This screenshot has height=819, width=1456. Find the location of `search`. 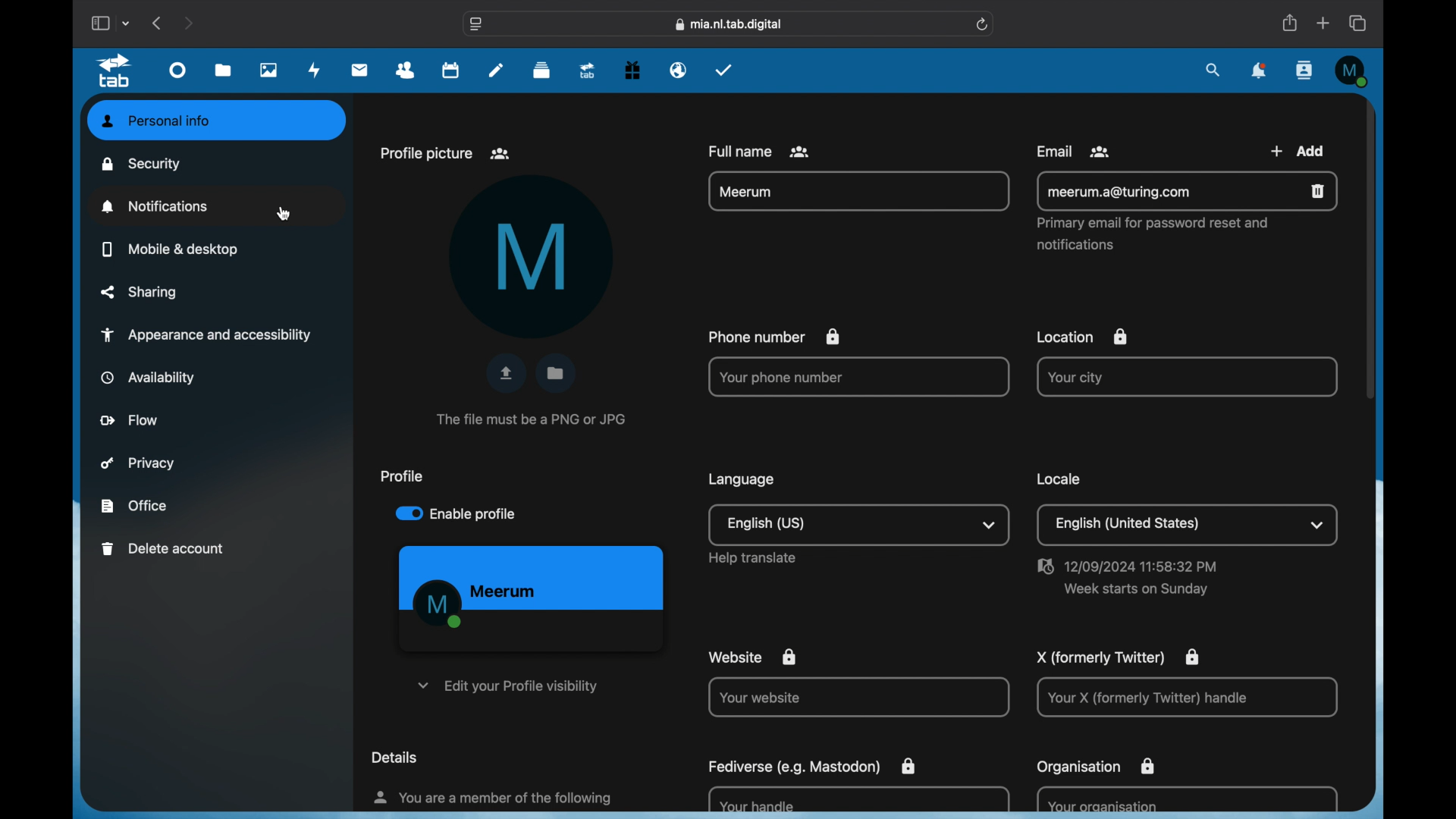

search is located at coordinates (1214, 69).